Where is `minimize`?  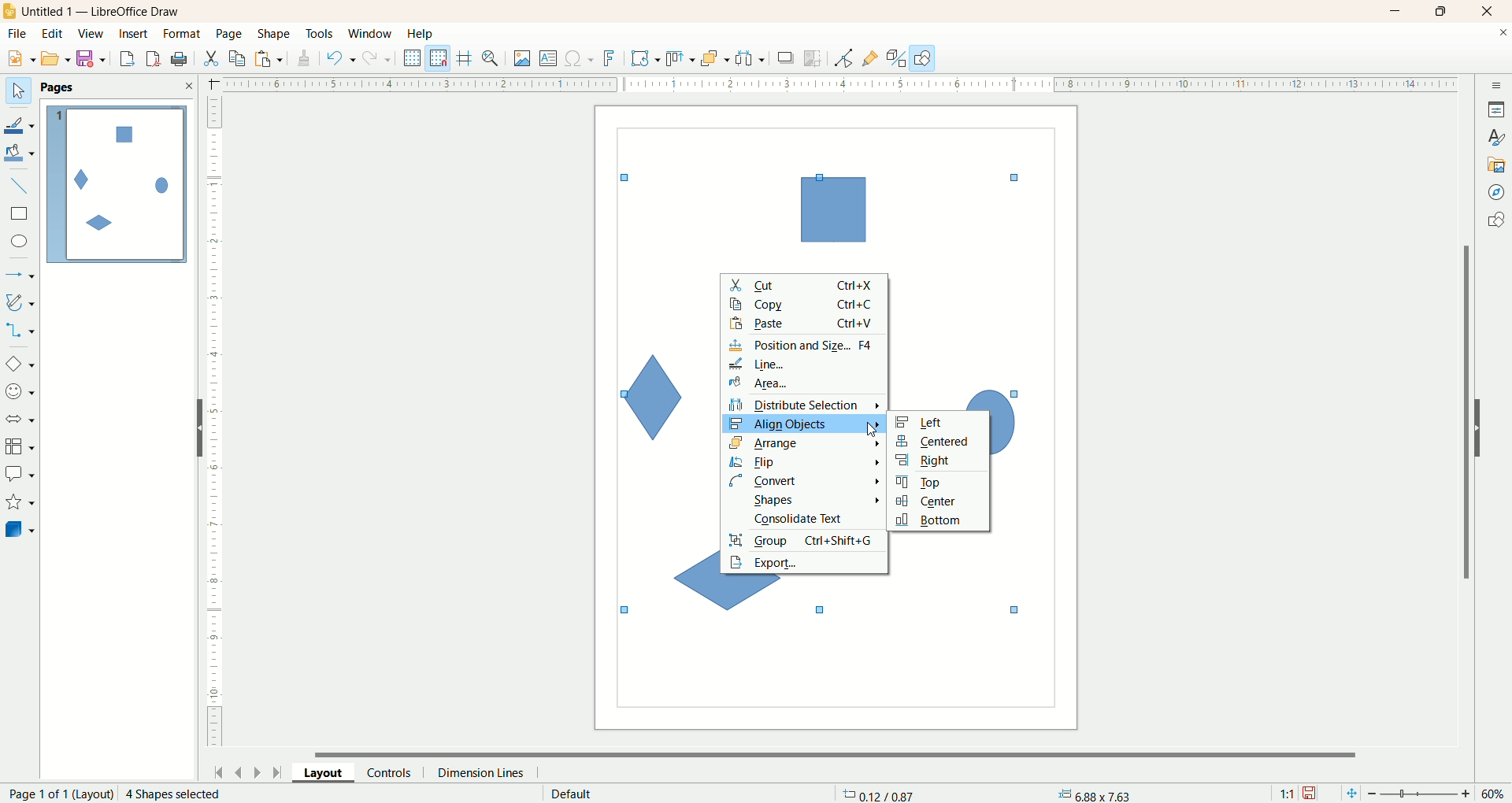
minimize is located at coordinates (1396, 11).